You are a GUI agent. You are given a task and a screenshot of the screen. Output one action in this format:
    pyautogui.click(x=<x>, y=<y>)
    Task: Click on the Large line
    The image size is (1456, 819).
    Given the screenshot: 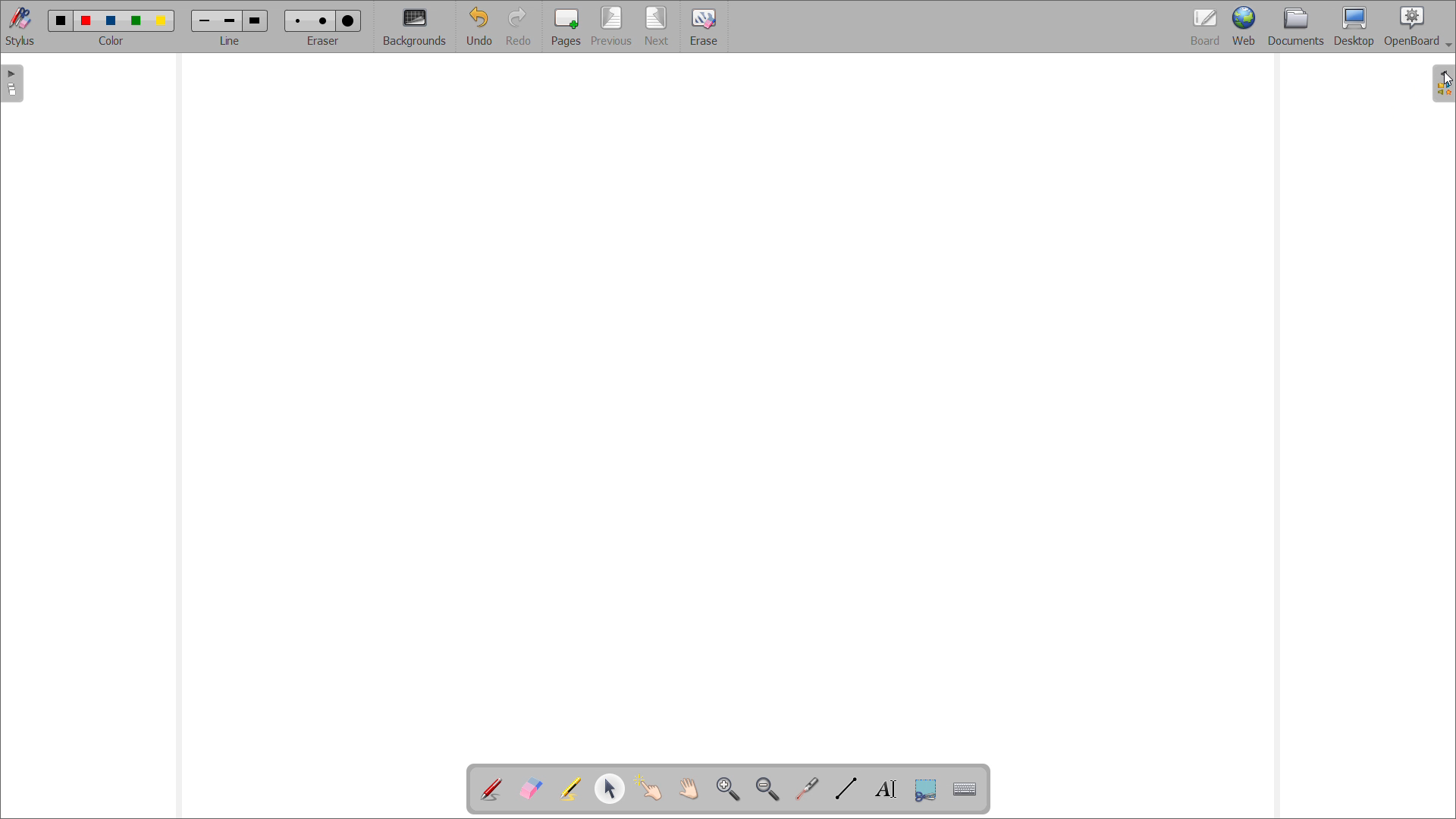 What is the action you would take?
    pyautogui.click(x=256, y=20)
    